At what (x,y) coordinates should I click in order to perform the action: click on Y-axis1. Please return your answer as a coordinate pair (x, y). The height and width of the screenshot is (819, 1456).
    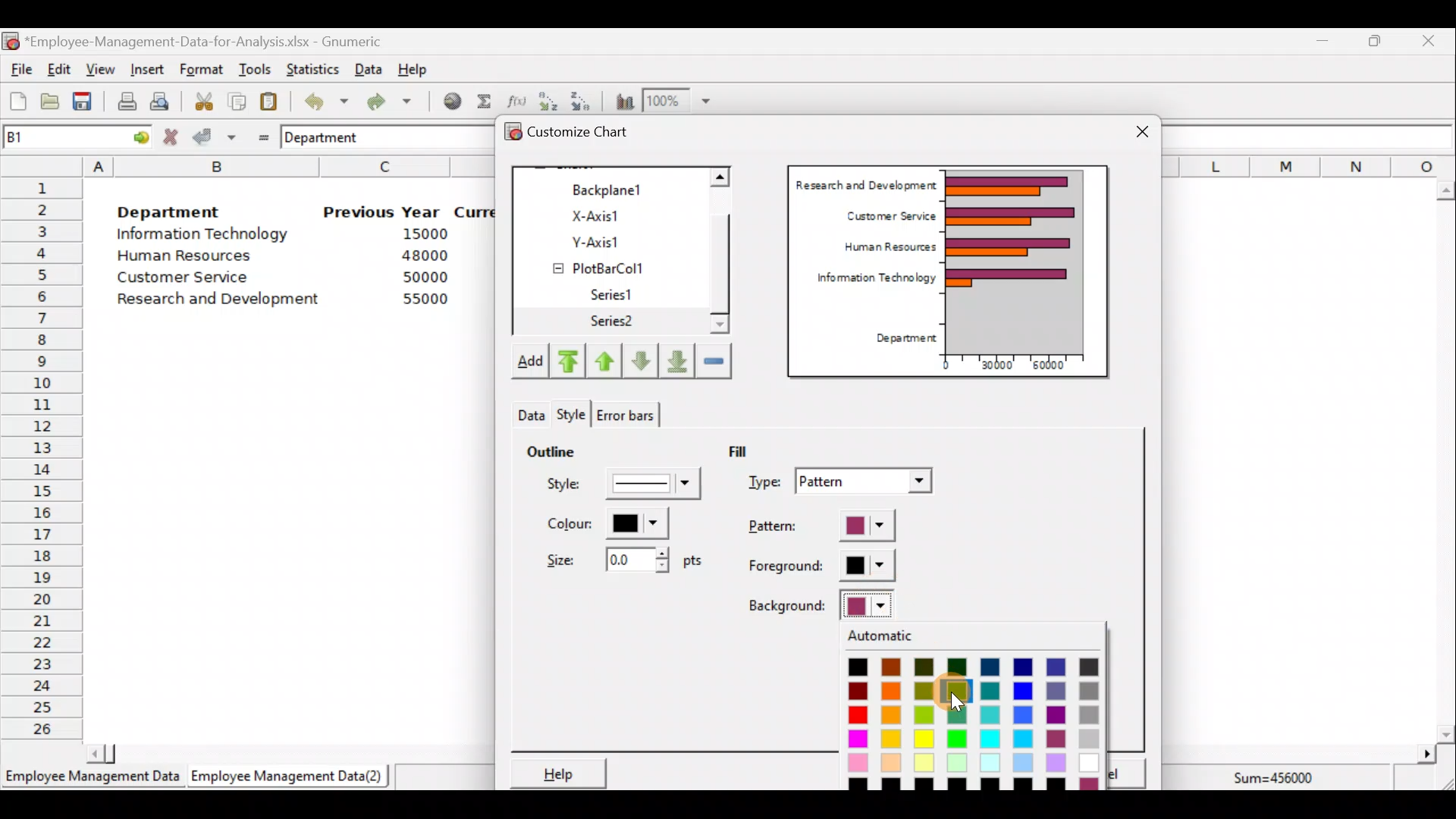
    Looking at the image, I should click on (615, 240).